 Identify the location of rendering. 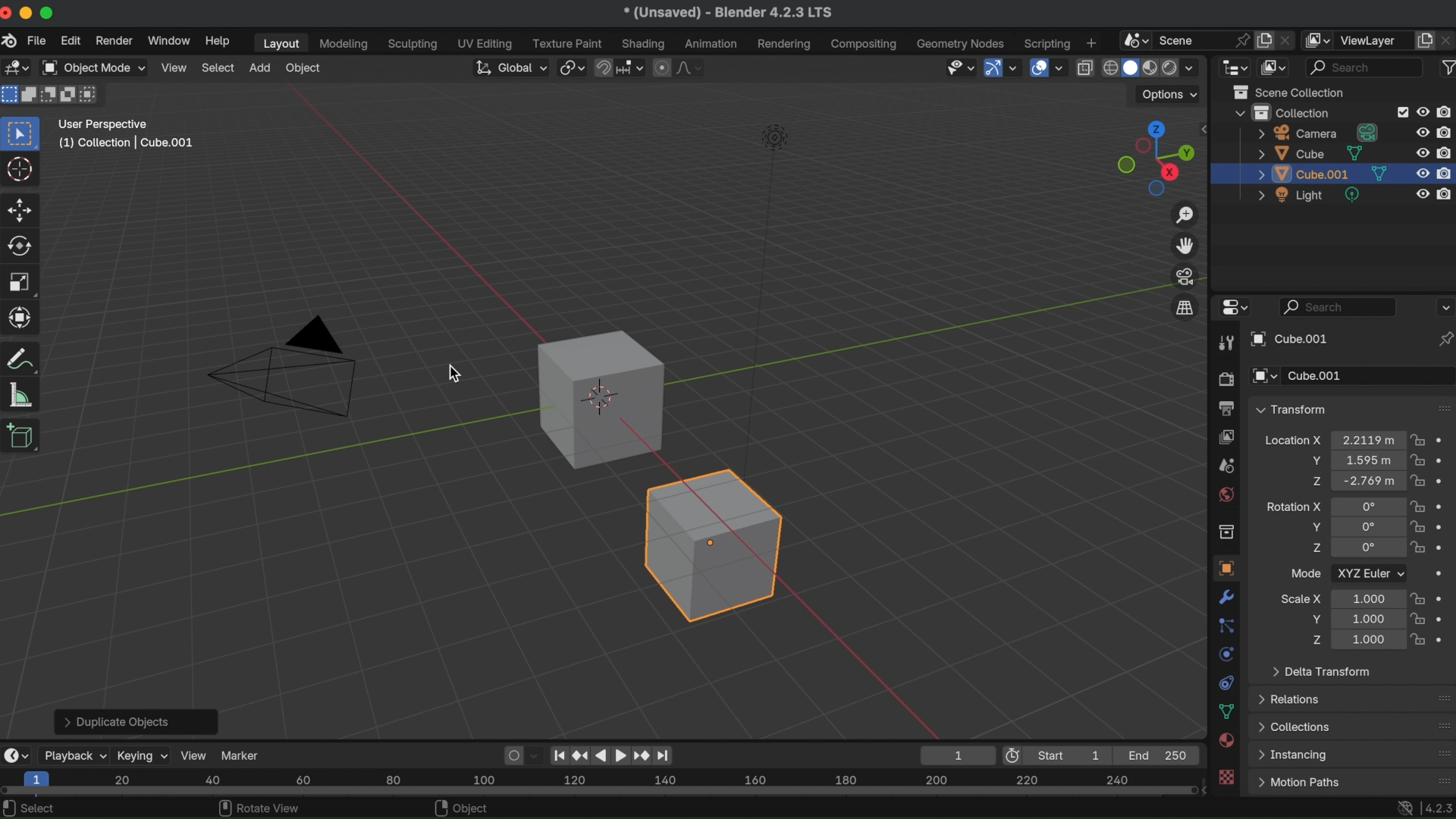
(784, 44).